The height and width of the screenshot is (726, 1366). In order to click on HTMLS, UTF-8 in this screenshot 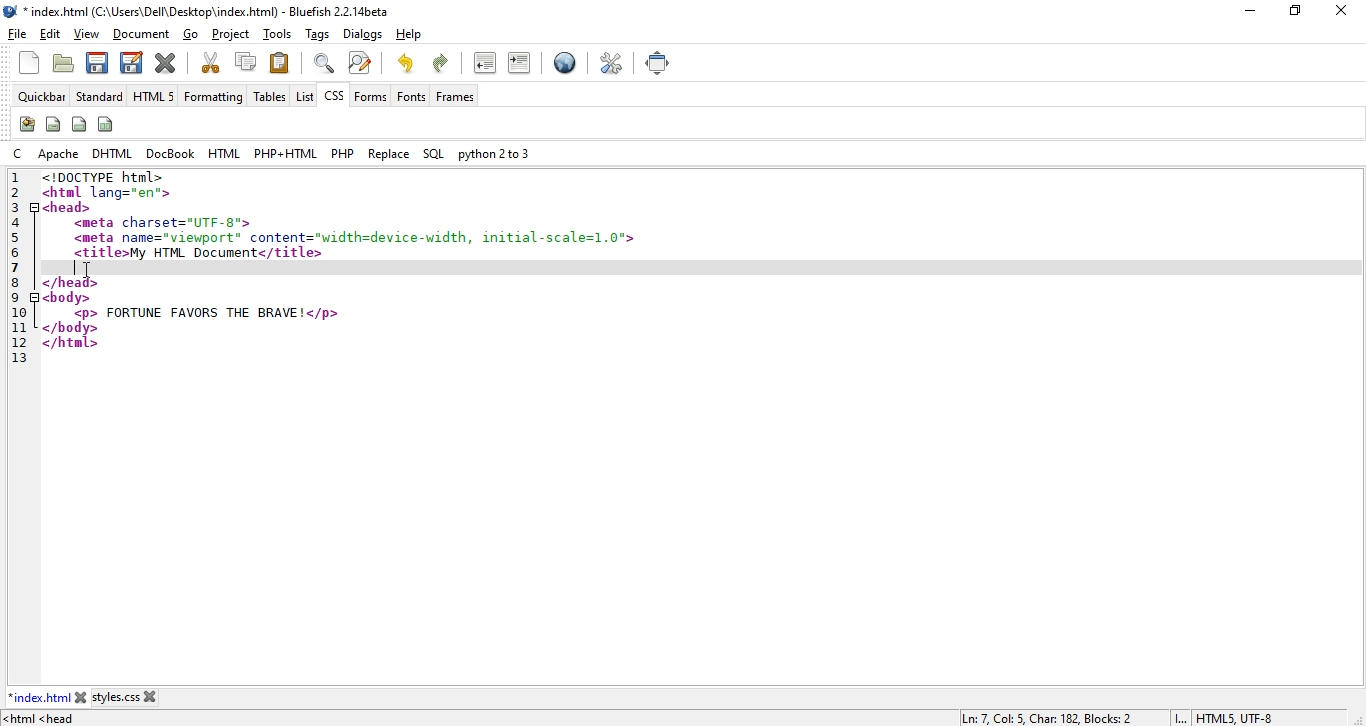, I will do `click(1235, 718)`.